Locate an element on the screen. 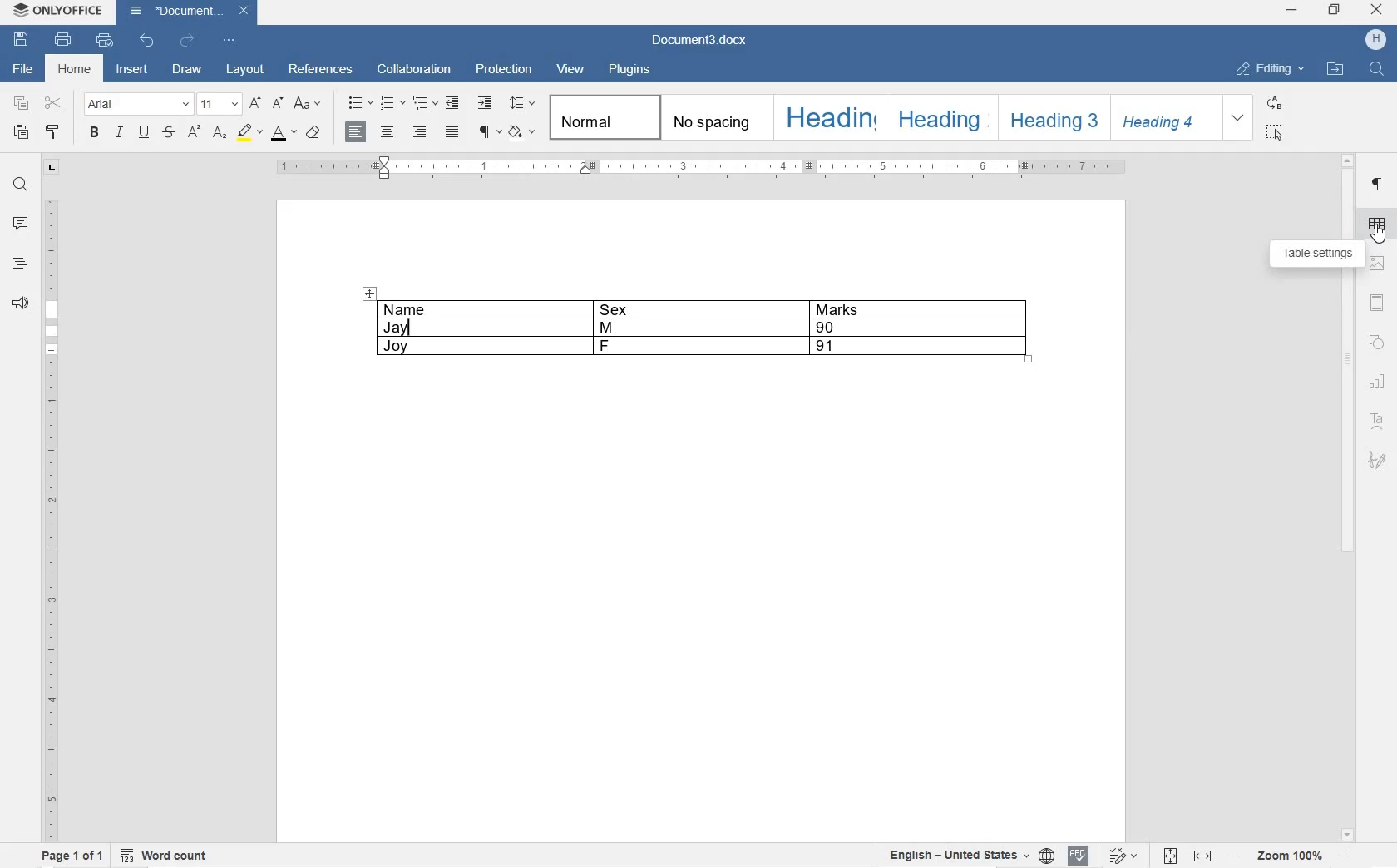 The height and width of the screenshot is (868, 1397). PROTECTION is located at coordinates (505, 72).